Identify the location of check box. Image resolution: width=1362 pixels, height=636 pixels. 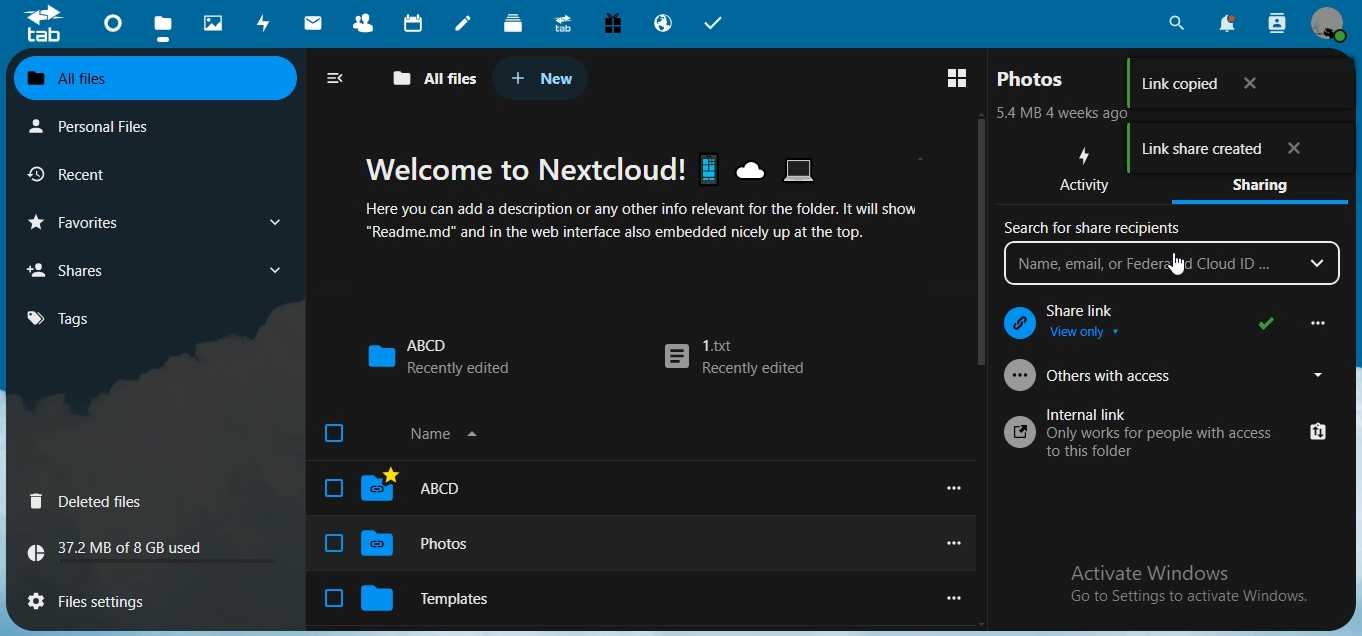
(333, 600).